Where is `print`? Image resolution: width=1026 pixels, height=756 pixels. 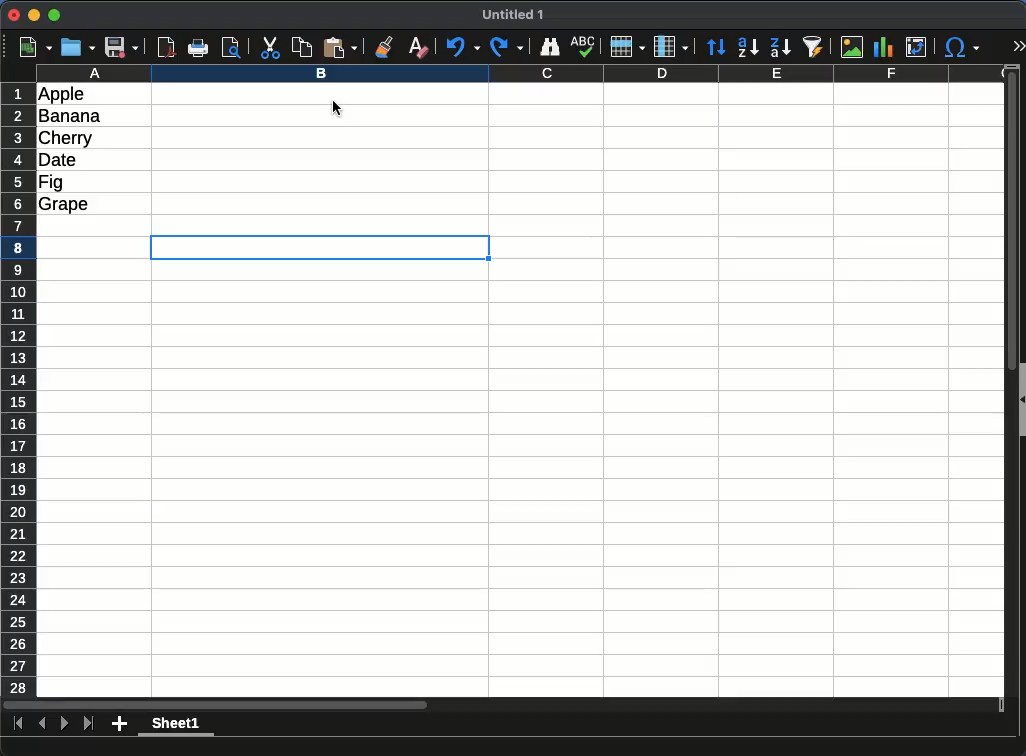 print is located at coordinates (198, 48).